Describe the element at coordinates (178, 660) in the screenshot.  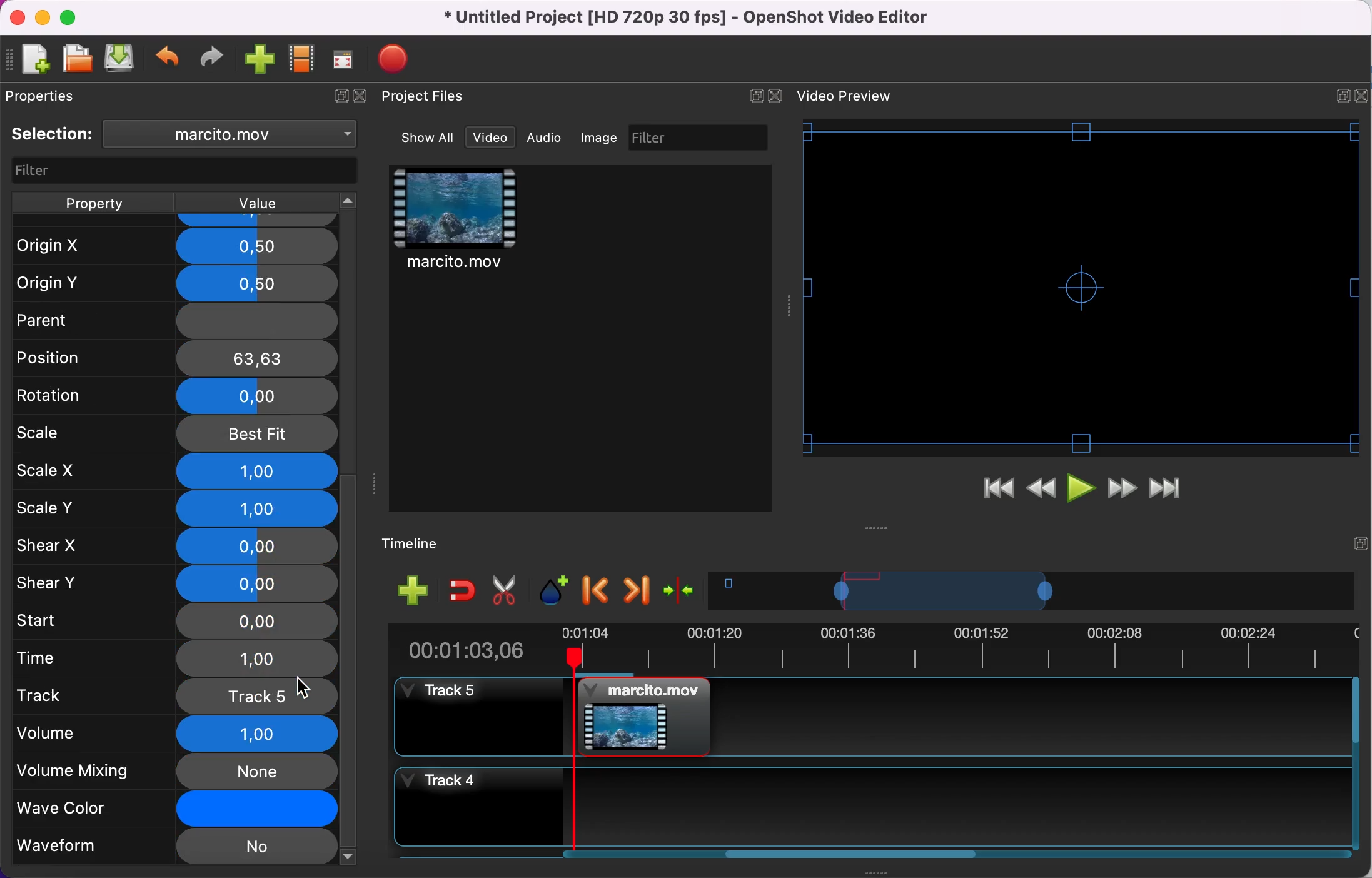
I see `time 1` at that location.